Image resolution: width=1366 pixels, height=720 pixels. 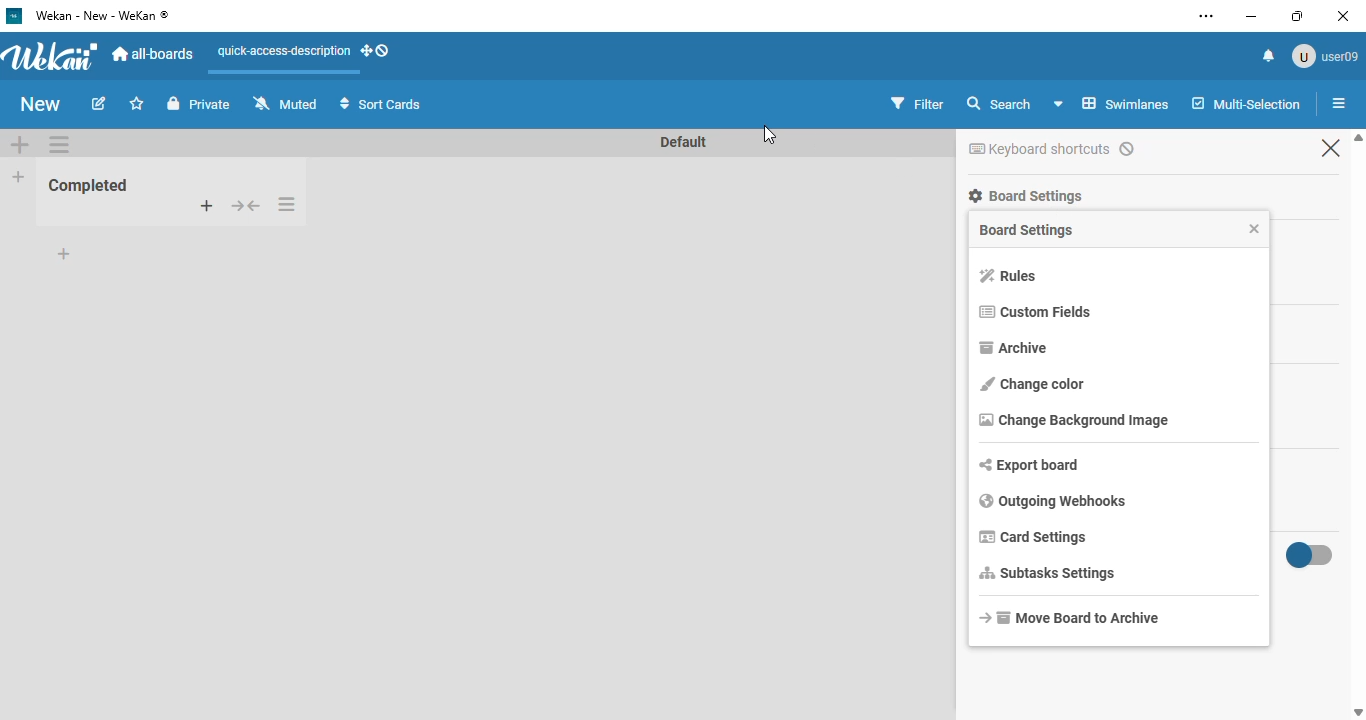 I want to click on add list, so click(x=19, y=177).